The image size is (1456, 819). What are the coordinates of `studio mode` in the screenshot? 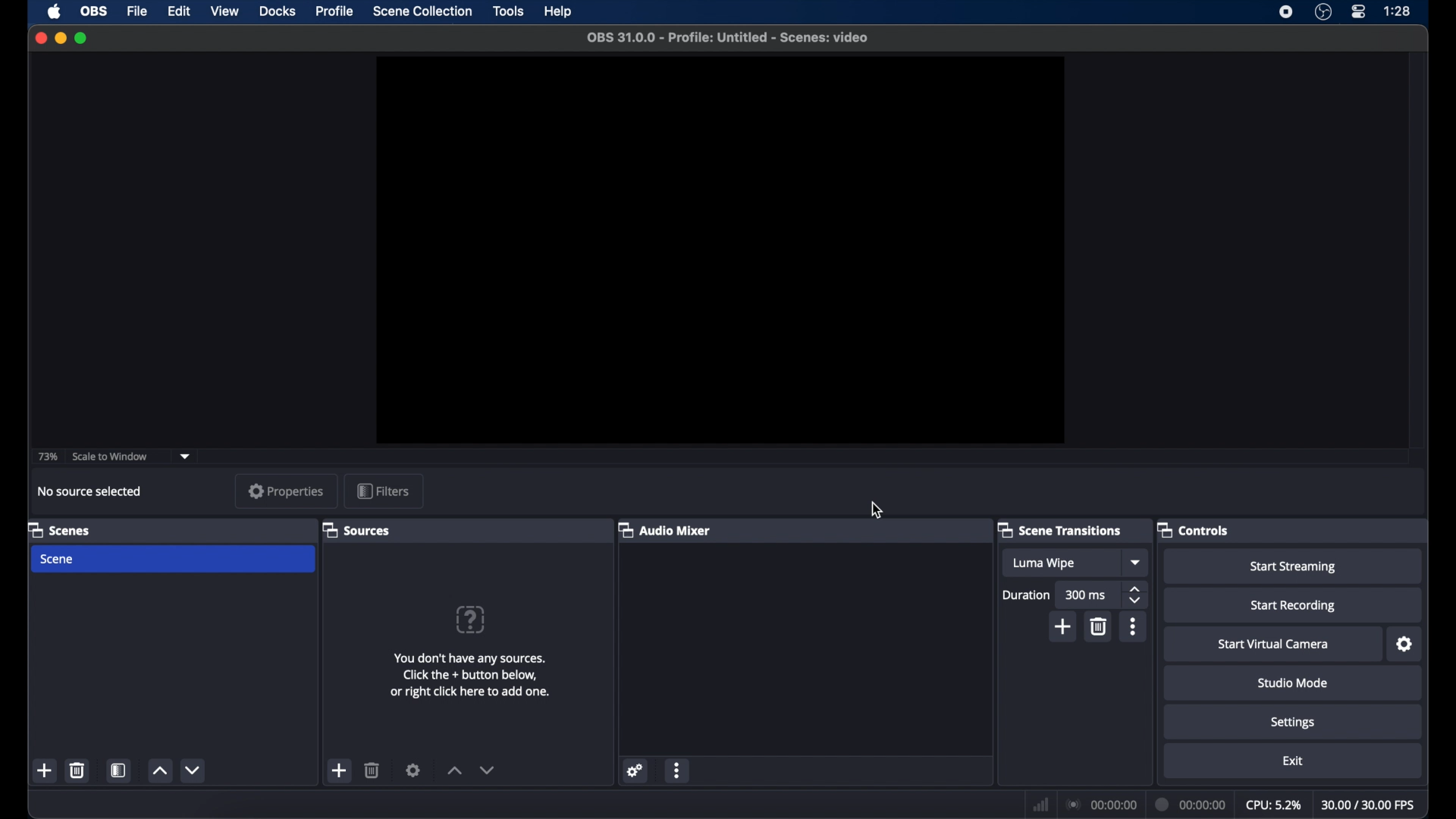 It's located at (1293, 682).